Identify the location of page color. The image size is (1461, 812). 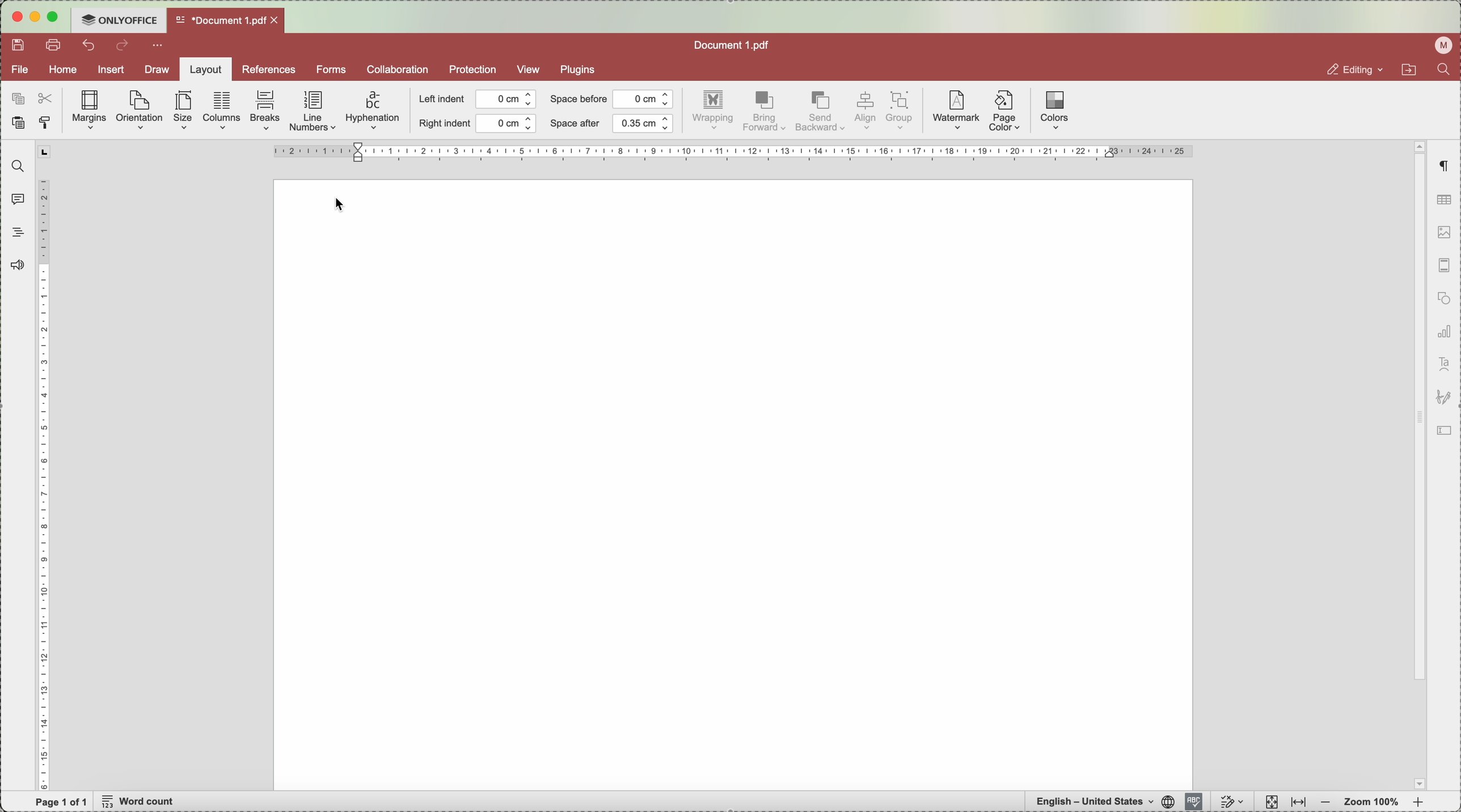
(1005, 113).